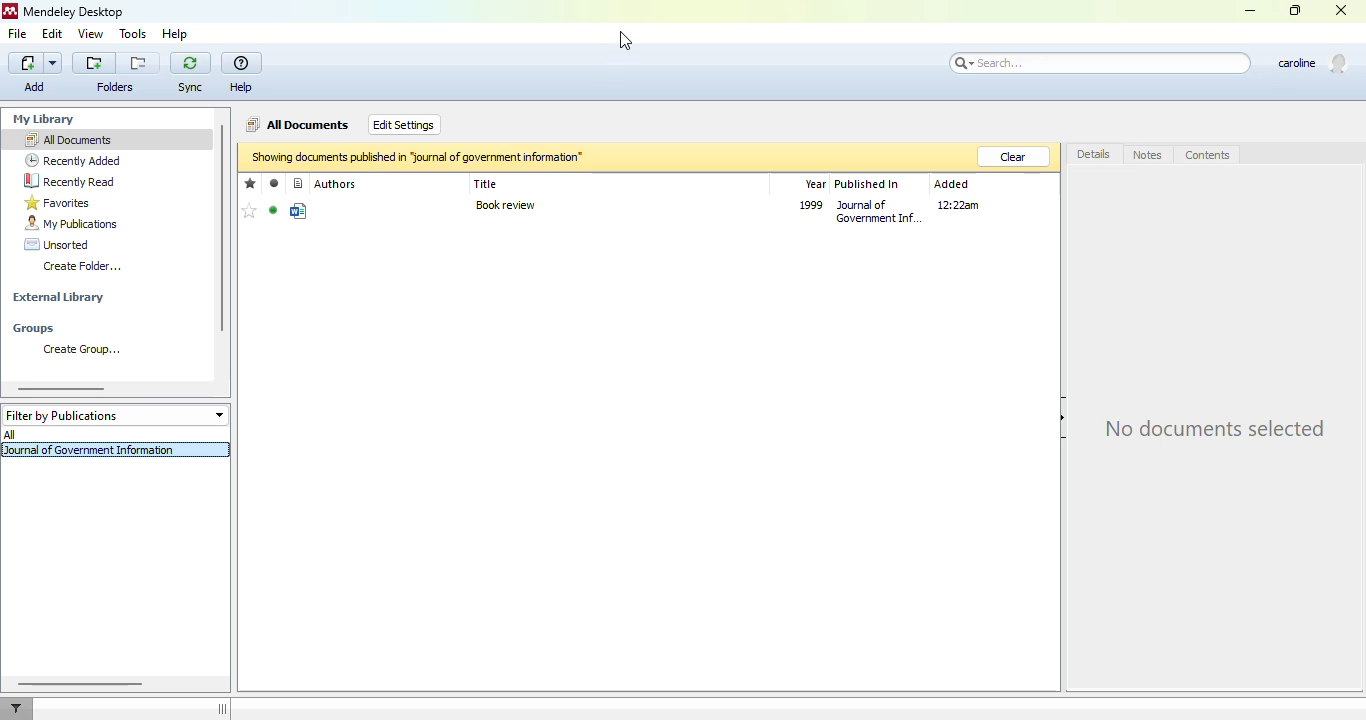  Describe the element at coordinates (77, 349) in the screenshot. I see `create group` at that location.